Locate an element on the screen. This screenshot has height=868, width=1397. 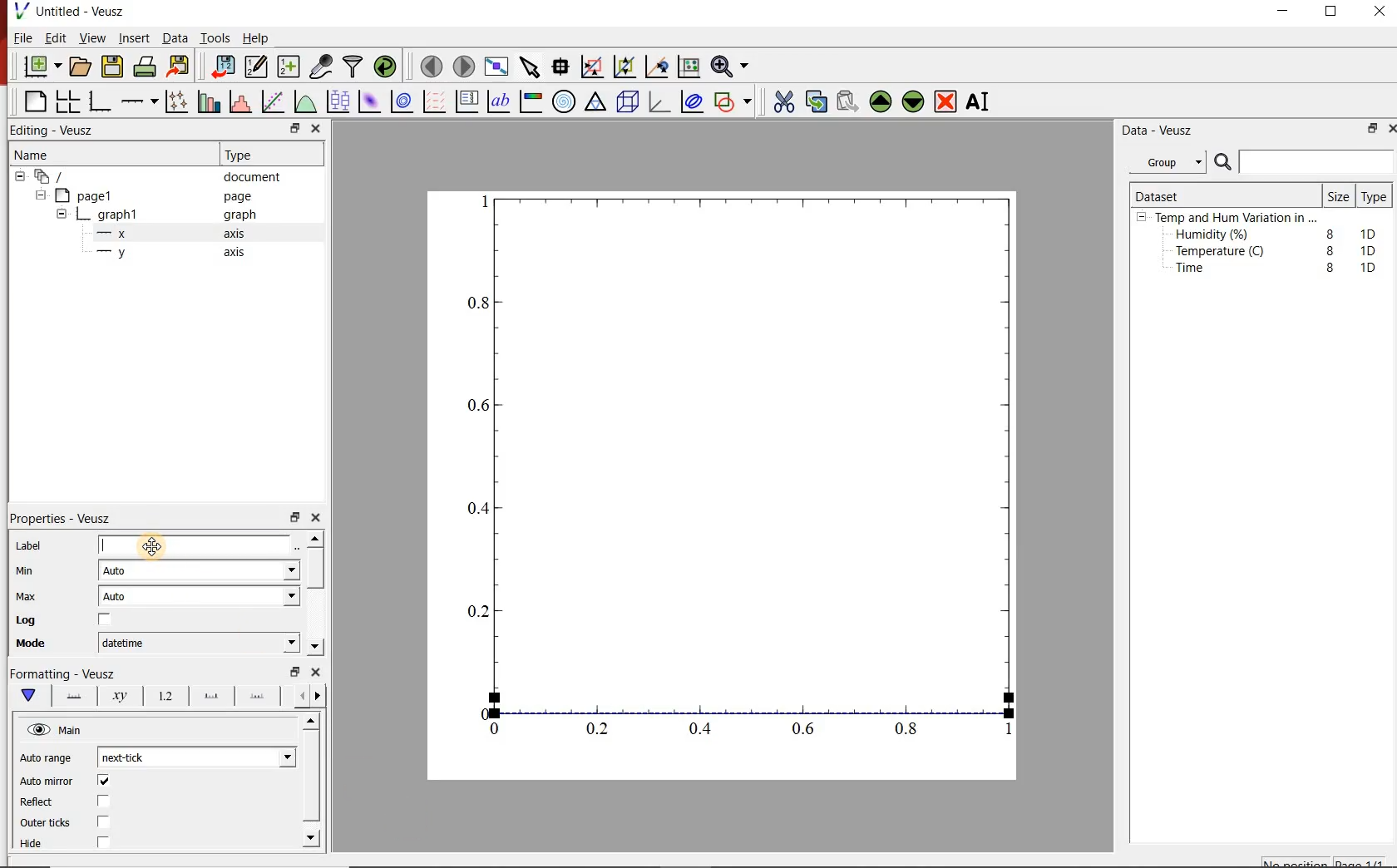
Data - Veusz is located at coordinates (1161, 131).